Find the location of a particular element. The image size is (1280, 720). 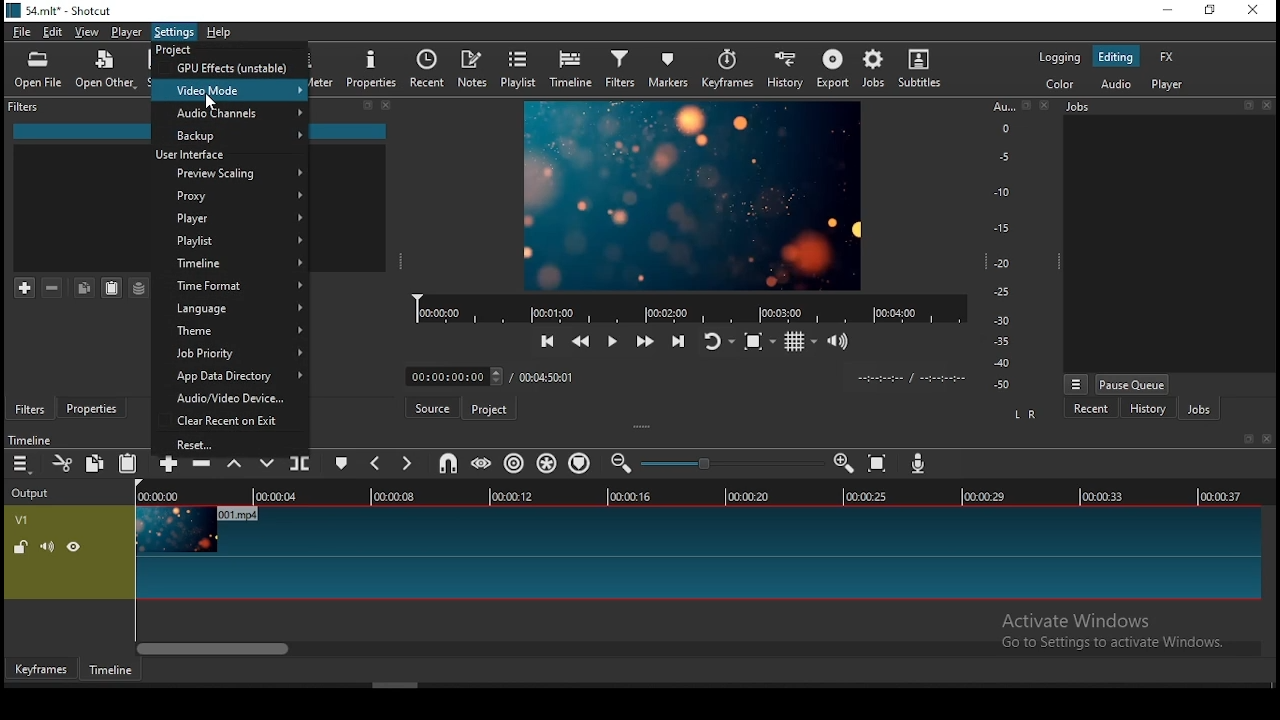

audio is located at coordinates (1115, 83).